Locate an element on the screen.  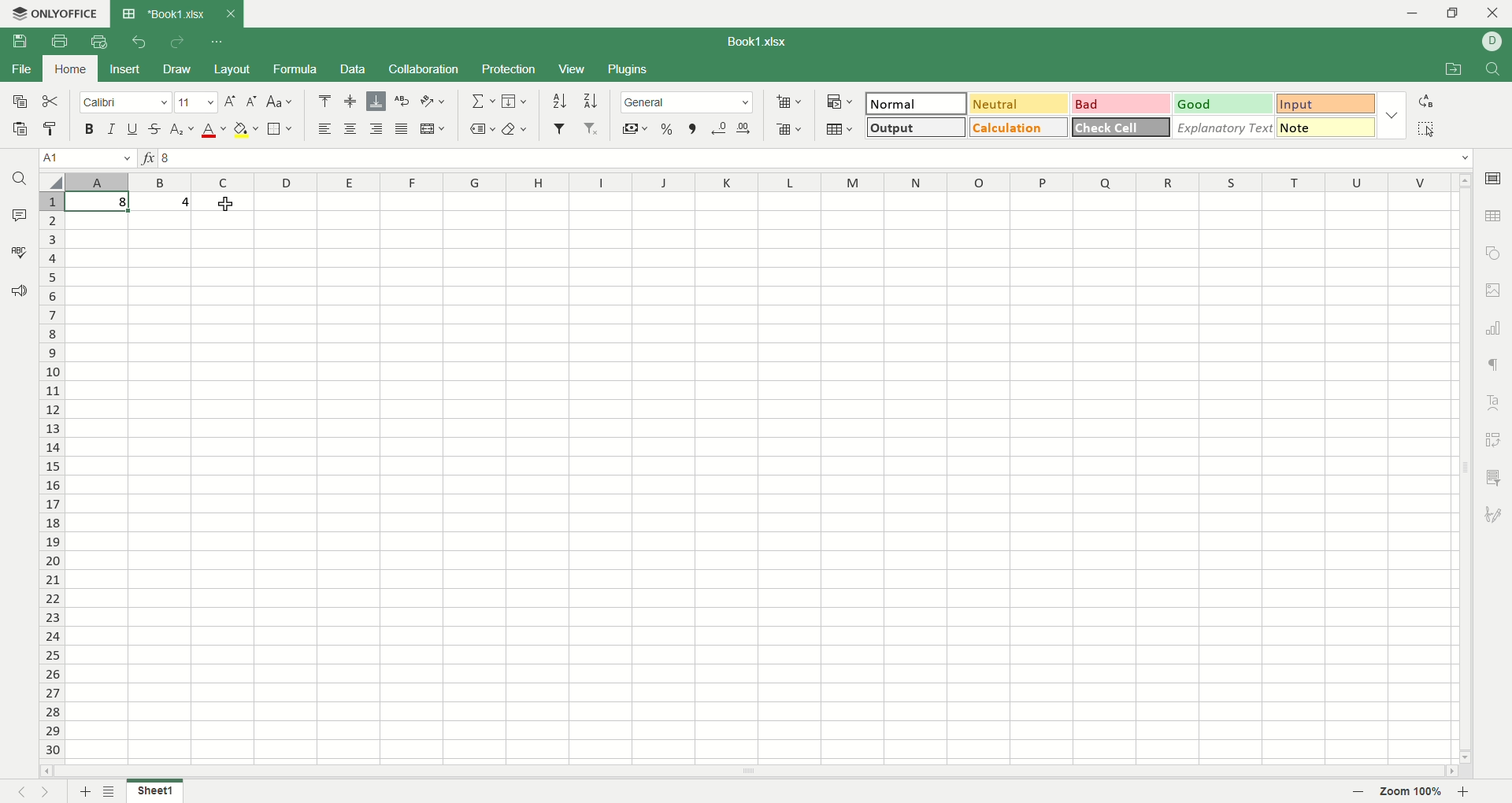
copy is located at coordinates (20, 102).